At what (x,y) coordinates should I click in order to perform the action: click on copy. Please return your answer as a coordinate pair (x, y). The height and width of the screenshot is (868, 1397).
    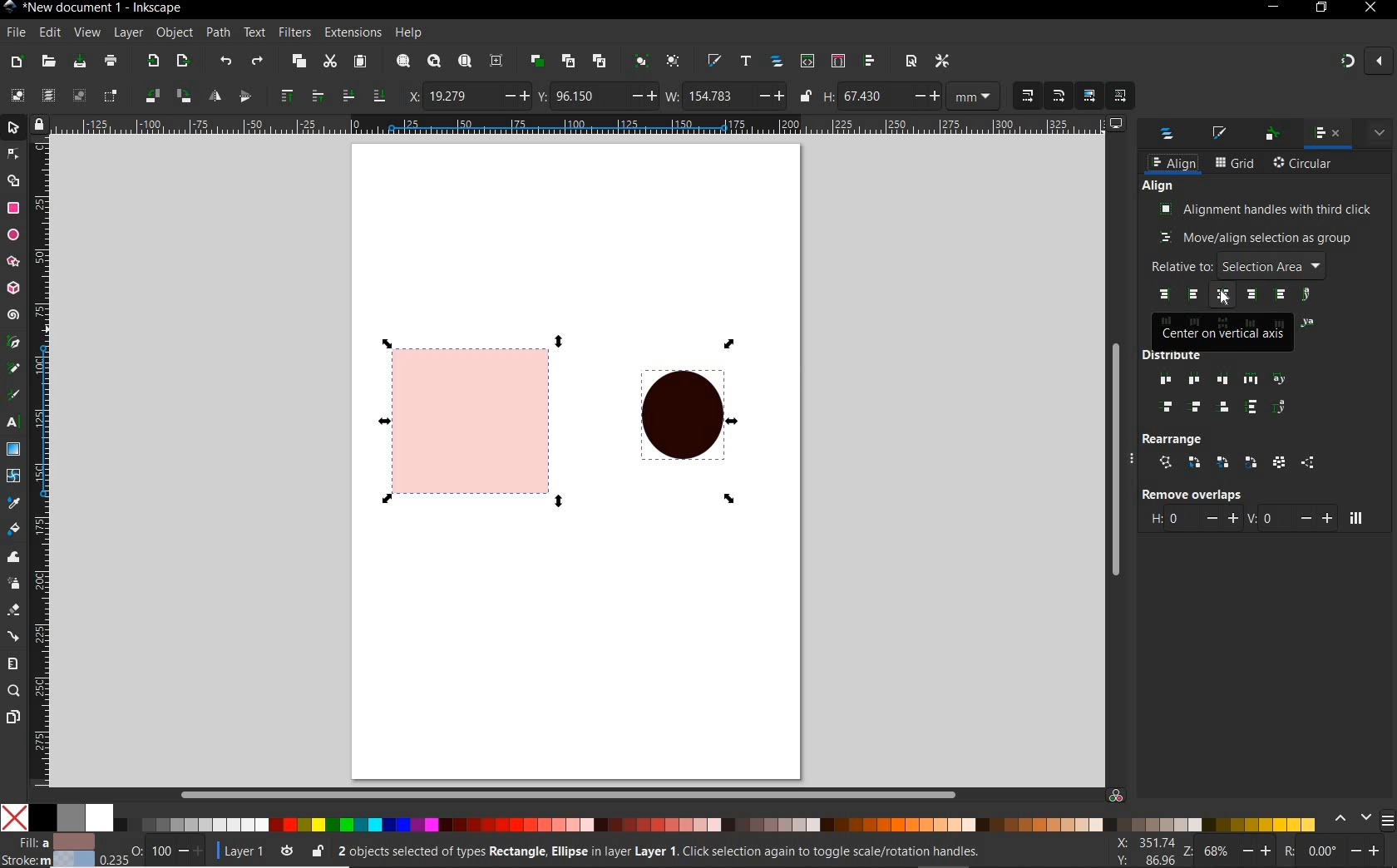
    Looking at the image, I should click on (299, 62).